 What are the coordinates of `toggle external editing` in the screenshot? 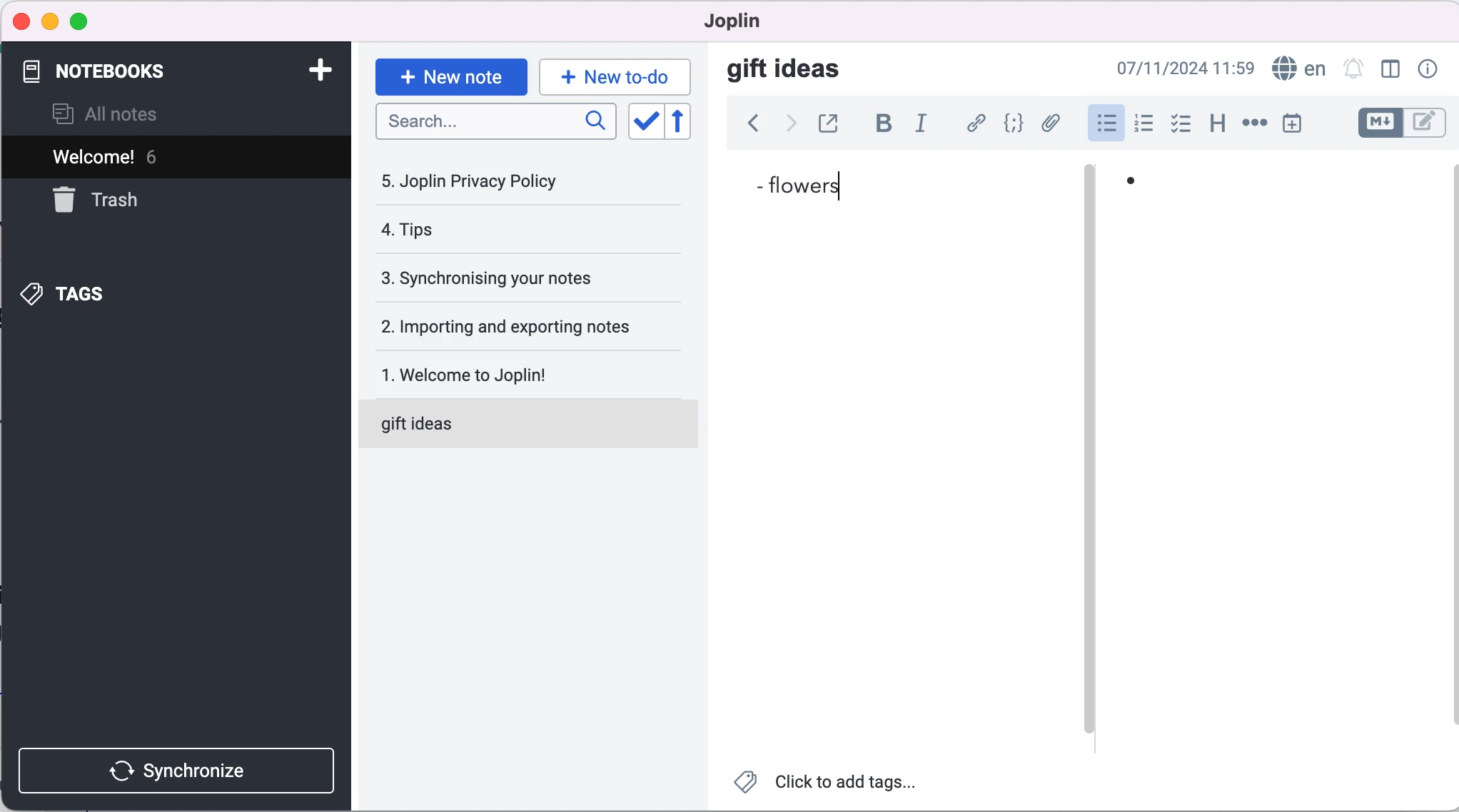 It's located at (831, 123).